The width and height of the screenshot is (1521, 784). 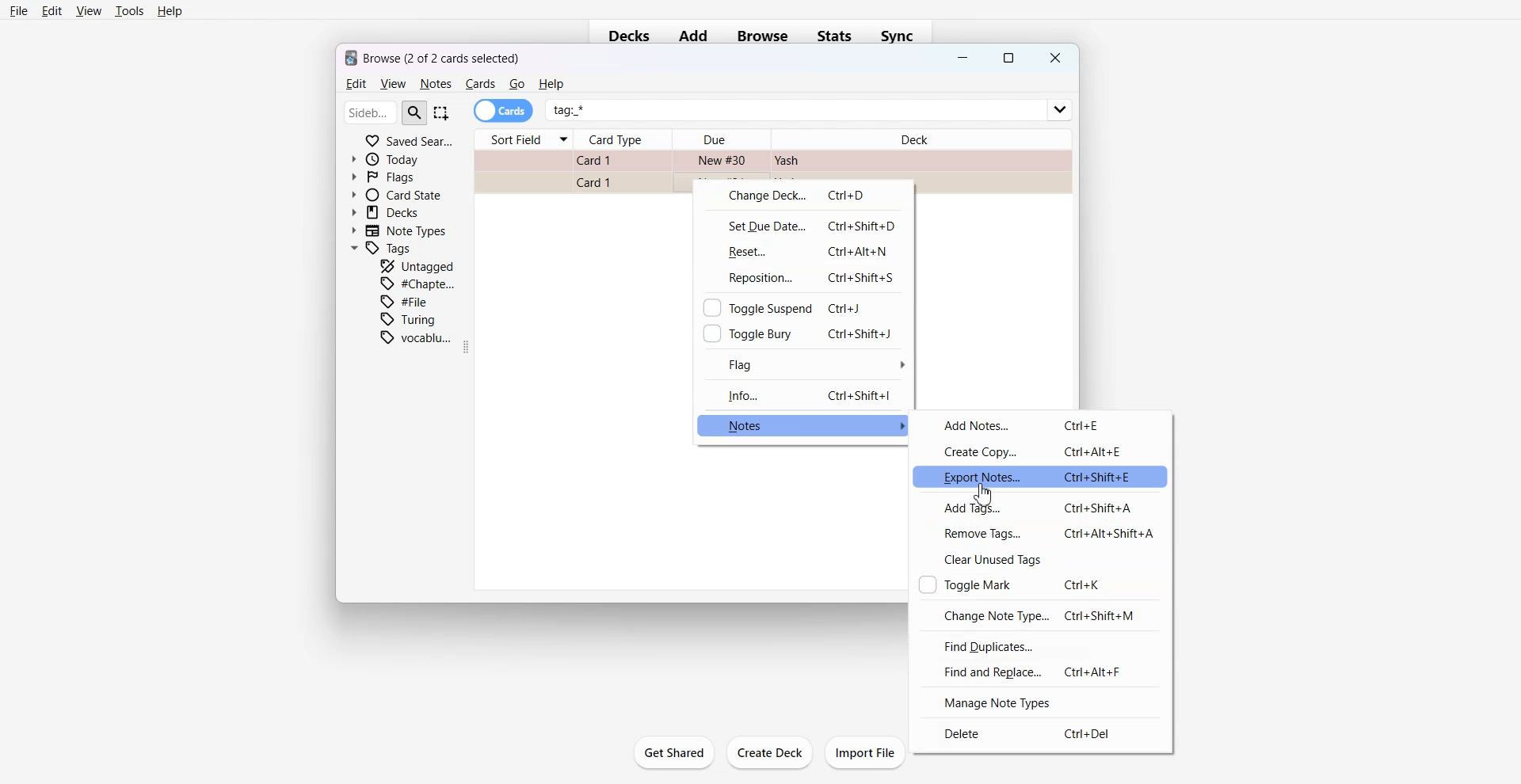 I want to click on Sort Field, so click(x=523, y=139).